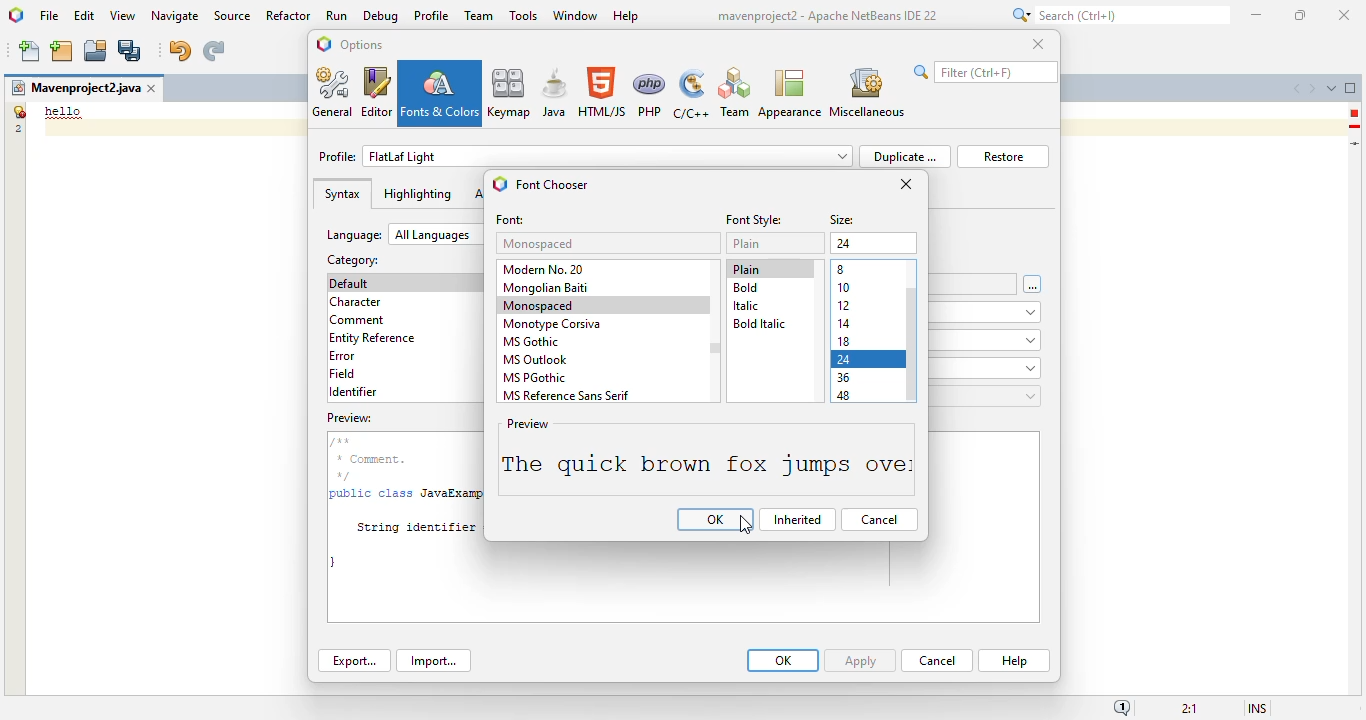  I want to click on minimize, so click(1258, 15).